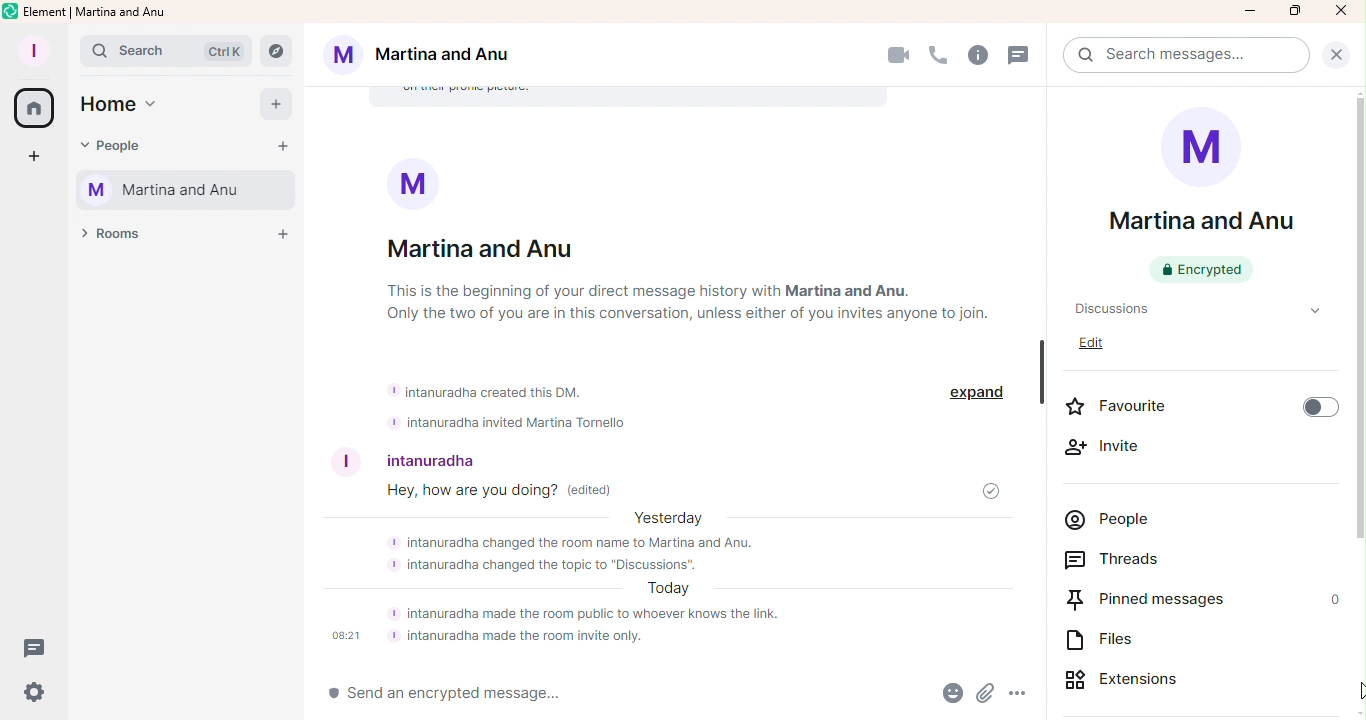  What do you see at coordinates (434, 55) in the screenshot?
I see `Martina and Anu` at bounding box center [434, 55].